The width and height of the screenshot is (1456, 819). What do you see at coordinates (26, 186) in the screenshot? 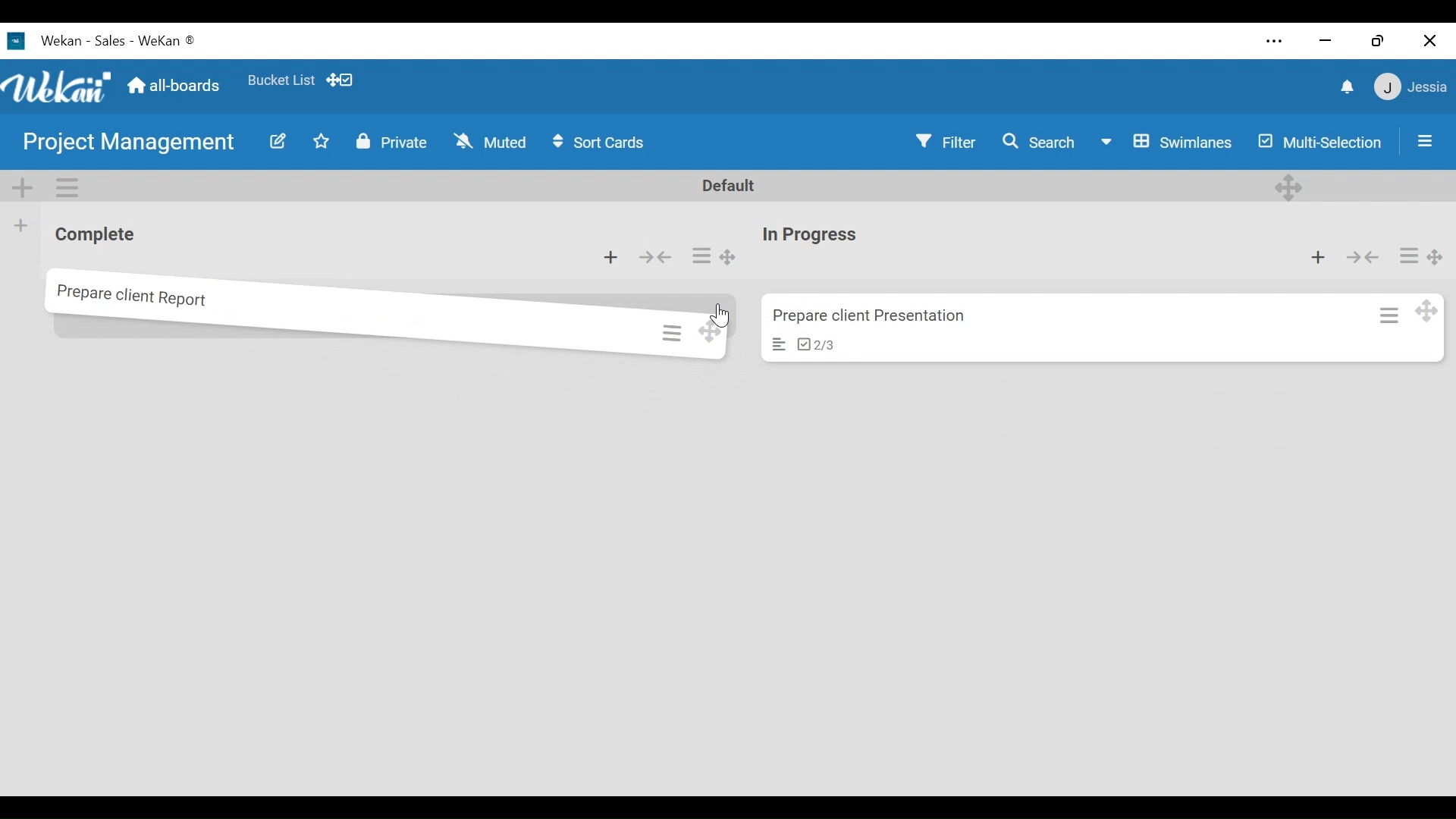
I see `Add Swimlane` at bounding box center [26, 186].